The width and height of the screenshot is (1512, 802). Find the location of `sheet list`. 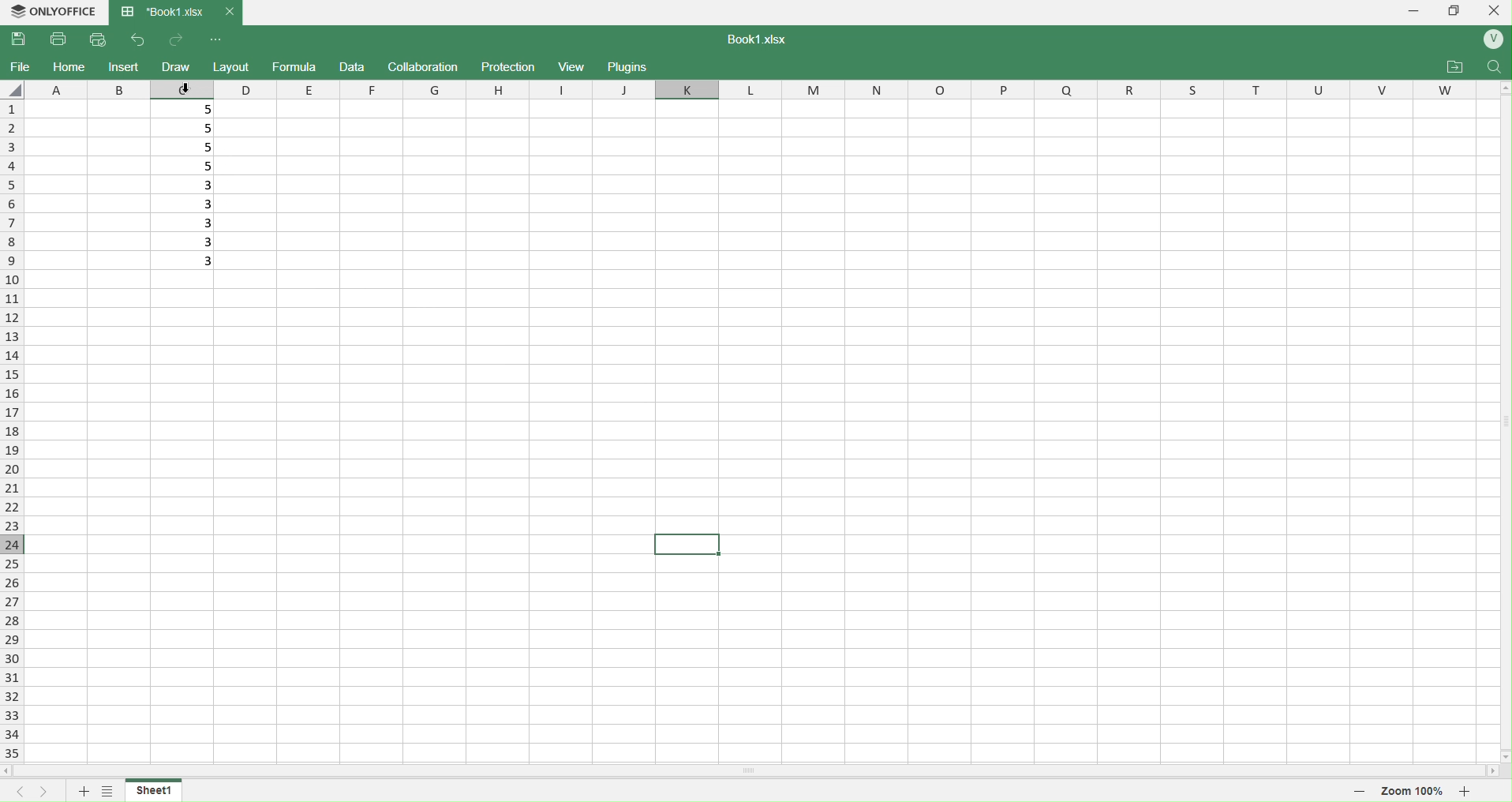

sheet list is located at coordinates (110, 789).